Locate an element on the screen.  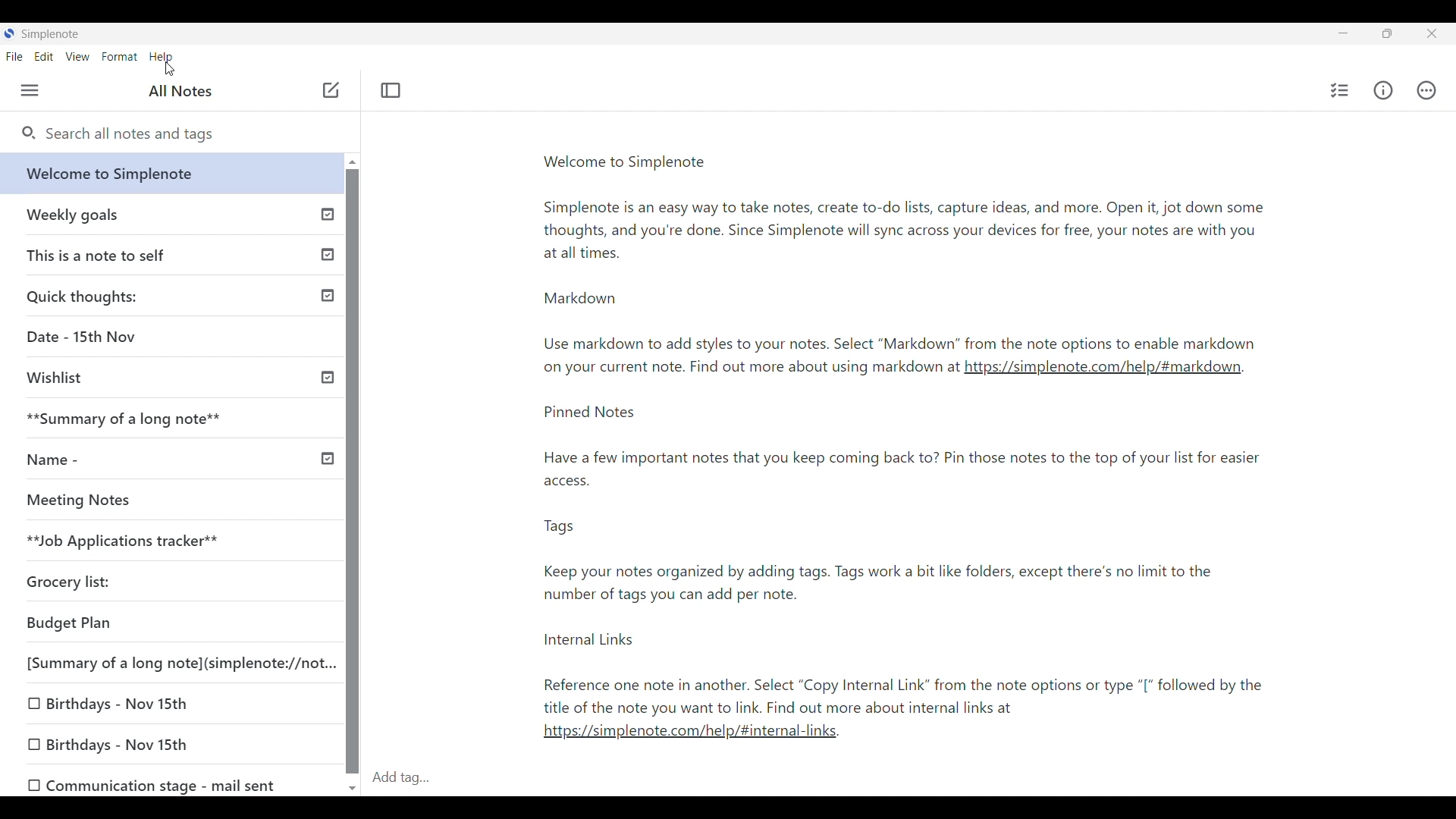
Edit menu is located at coordinates (44, 56).